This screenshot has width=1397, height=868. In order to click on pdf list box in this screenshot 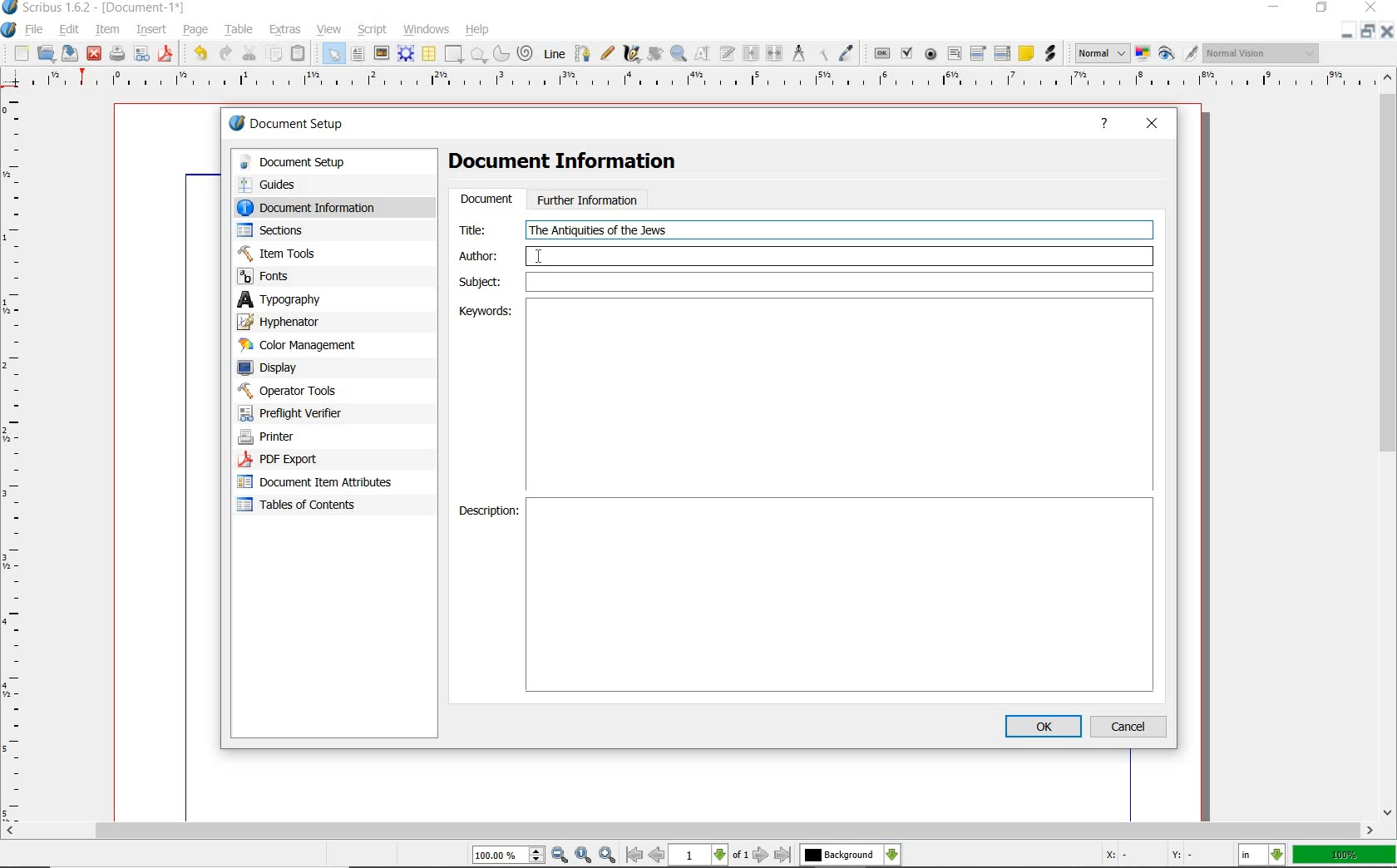, I will do `click(1001, 53)`.